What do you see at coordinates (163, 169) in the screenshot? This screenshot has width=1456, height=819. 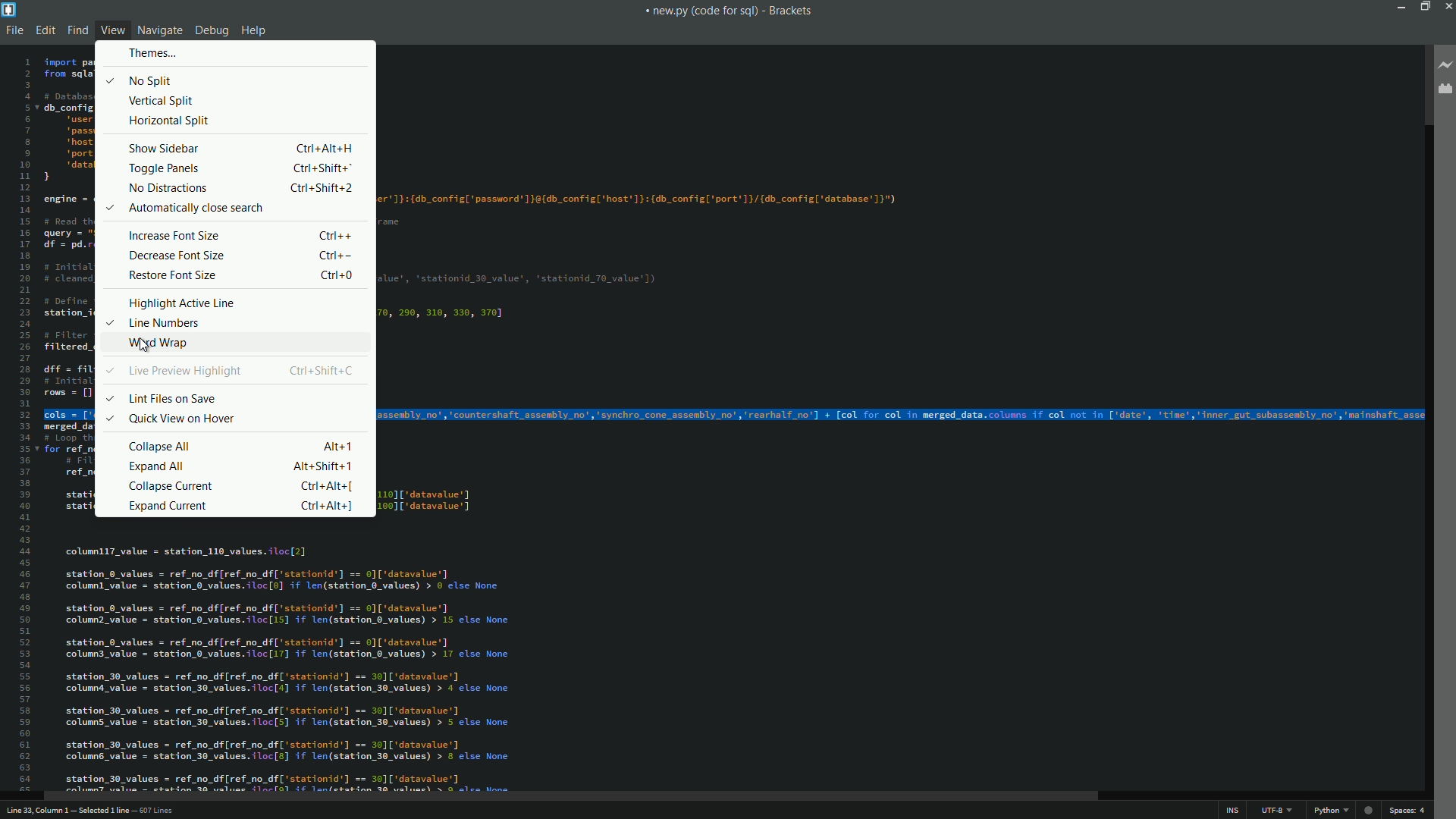 I see `toggle panels` at bounding box center [163, 169].